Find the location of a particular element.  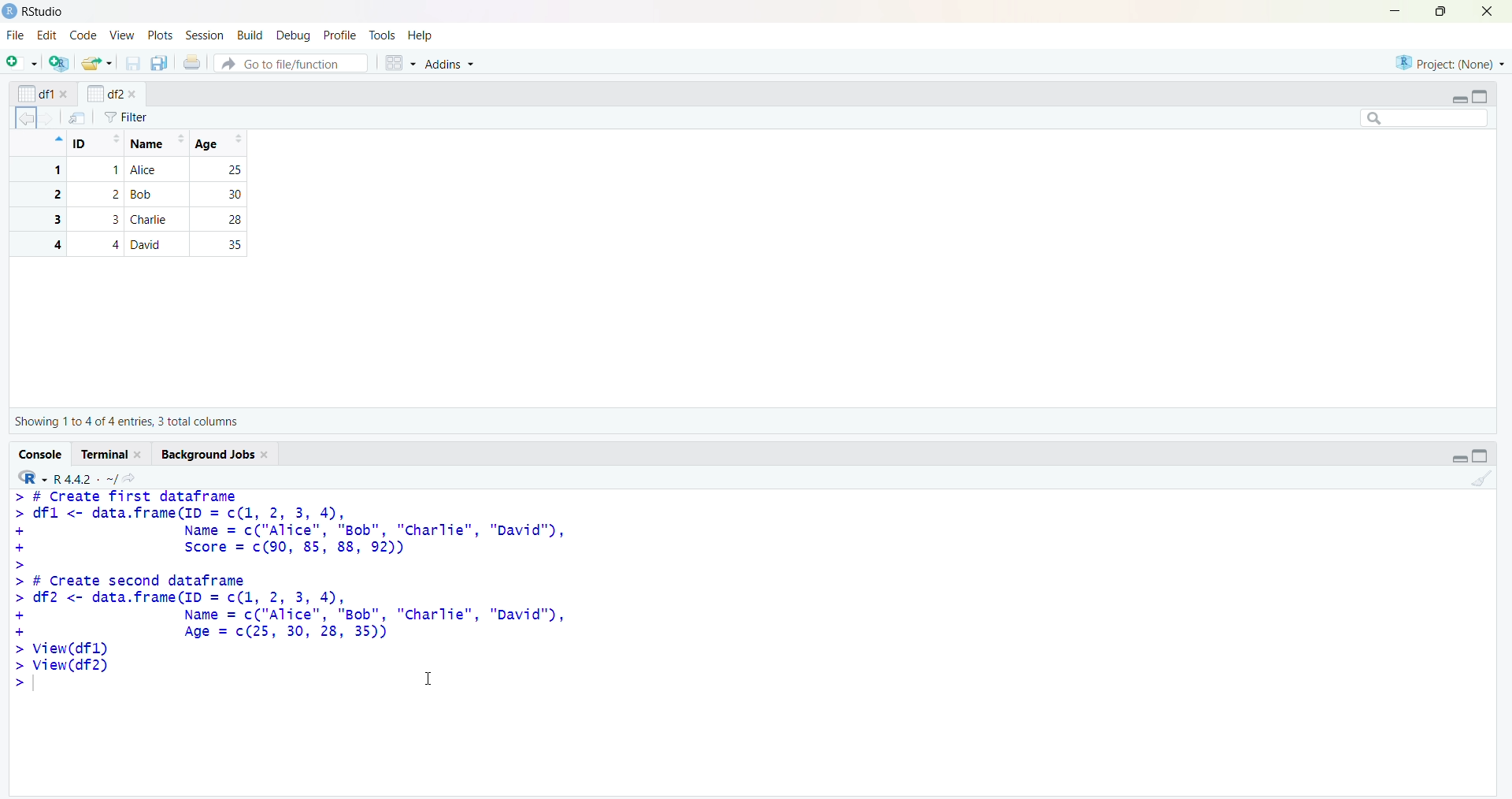

df1 is located at coordinates (35, 94).